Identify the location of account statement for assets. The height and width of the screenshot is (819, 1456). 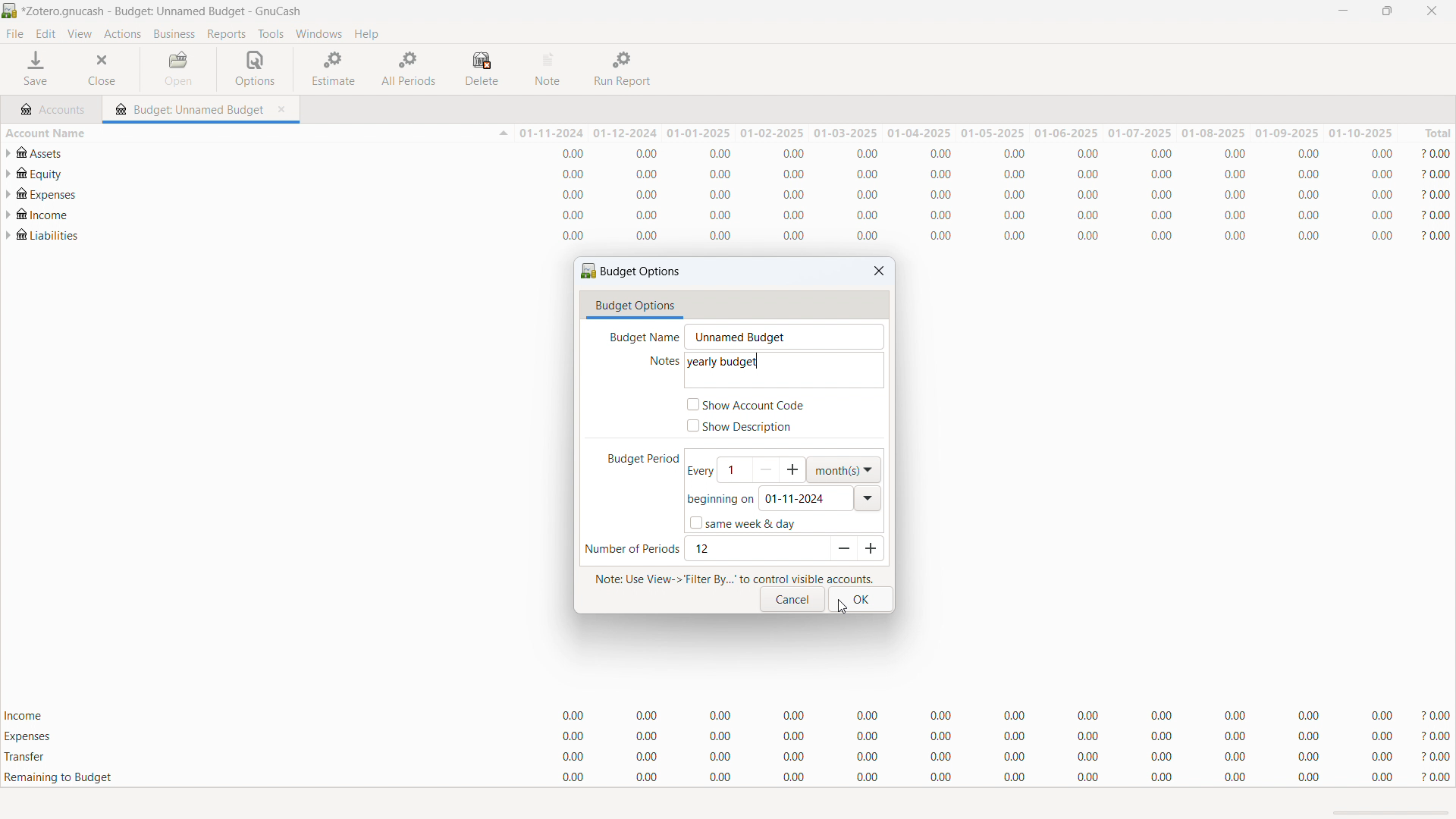
(736, 153).